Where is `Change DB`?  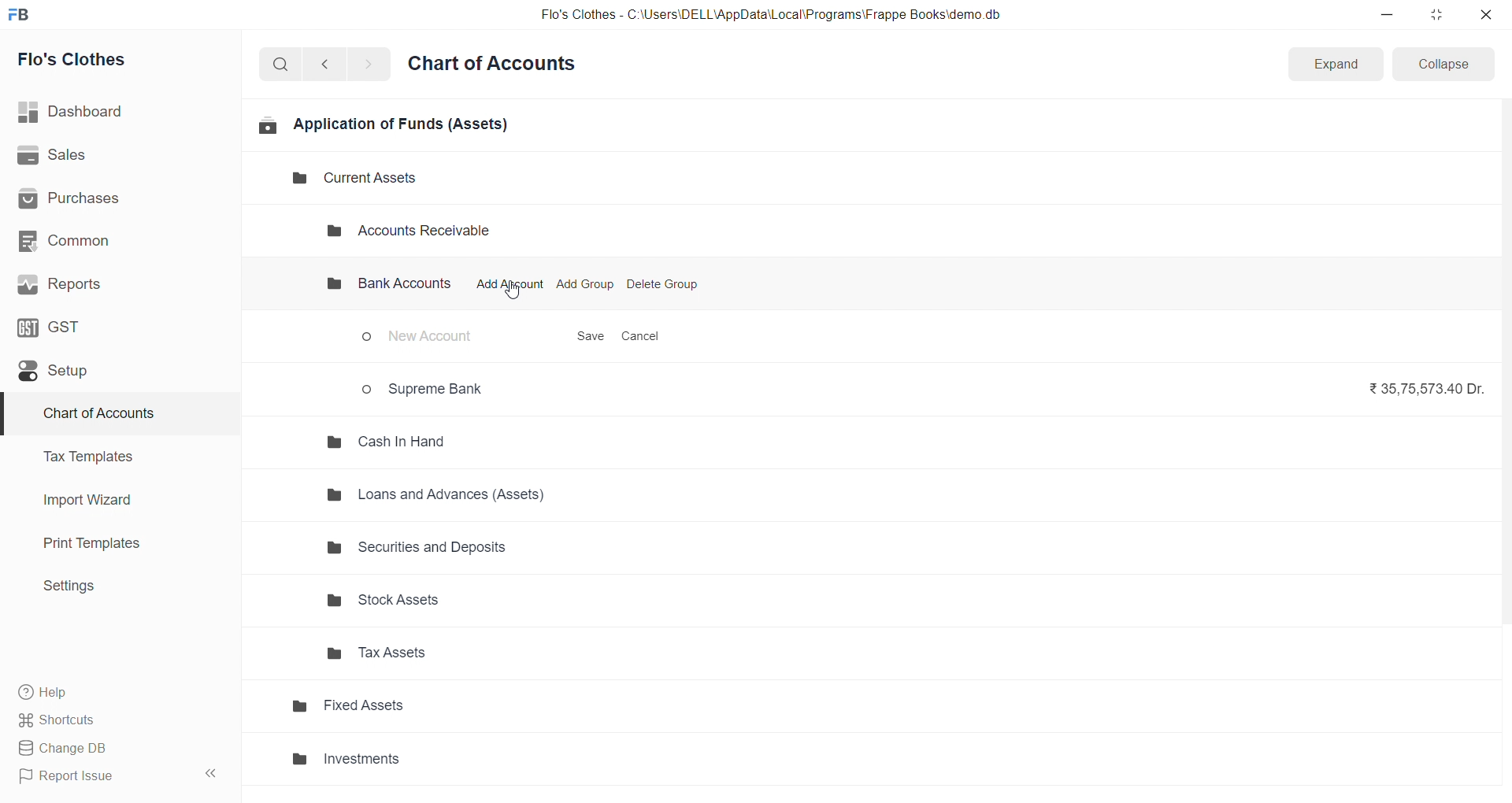
Change DB is located at coordinates (113, 749).